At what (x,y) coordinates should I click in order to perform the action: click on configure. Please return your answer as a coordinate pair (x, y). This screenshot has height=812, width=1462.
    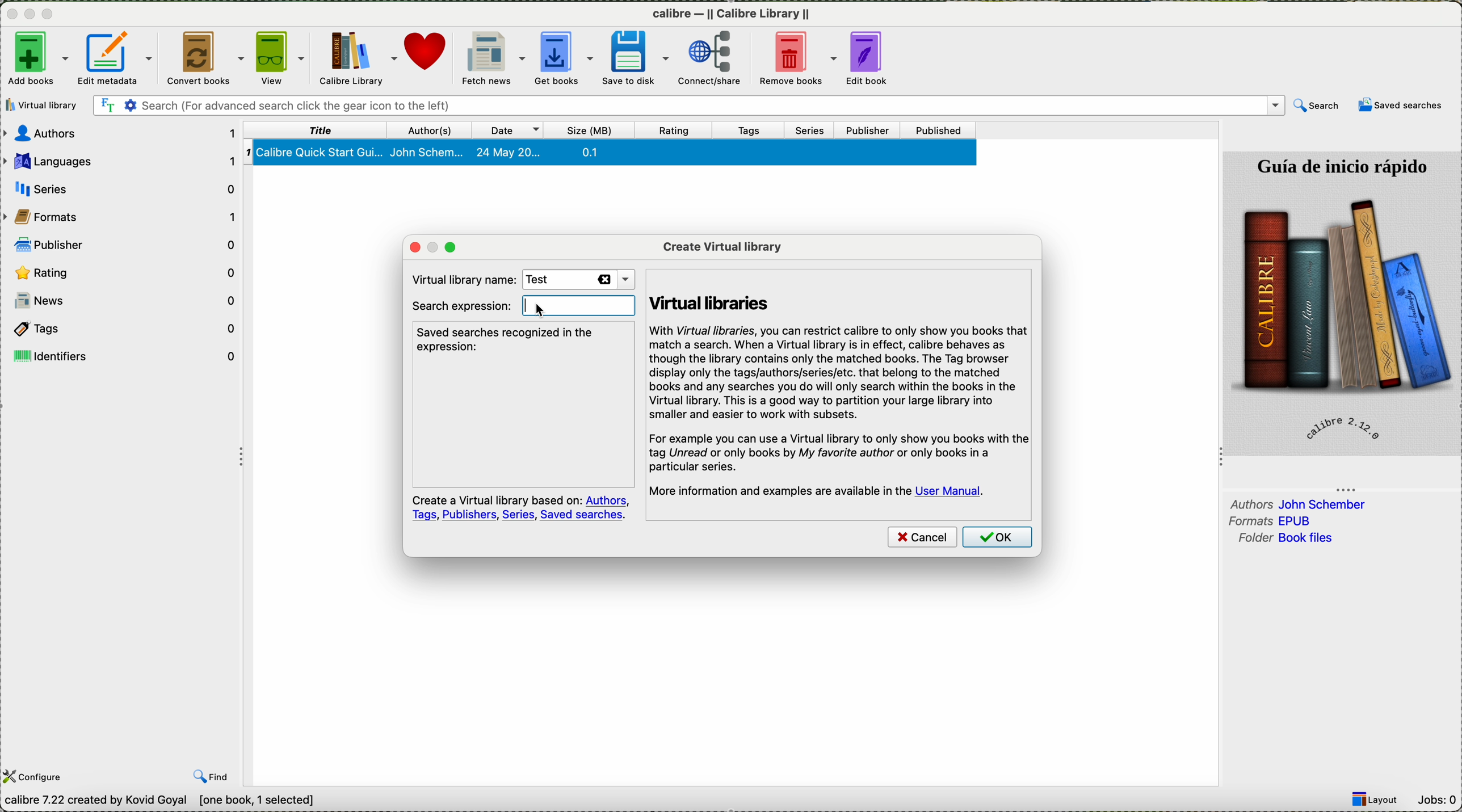
    Looking at the image, I should click on (36, 776).